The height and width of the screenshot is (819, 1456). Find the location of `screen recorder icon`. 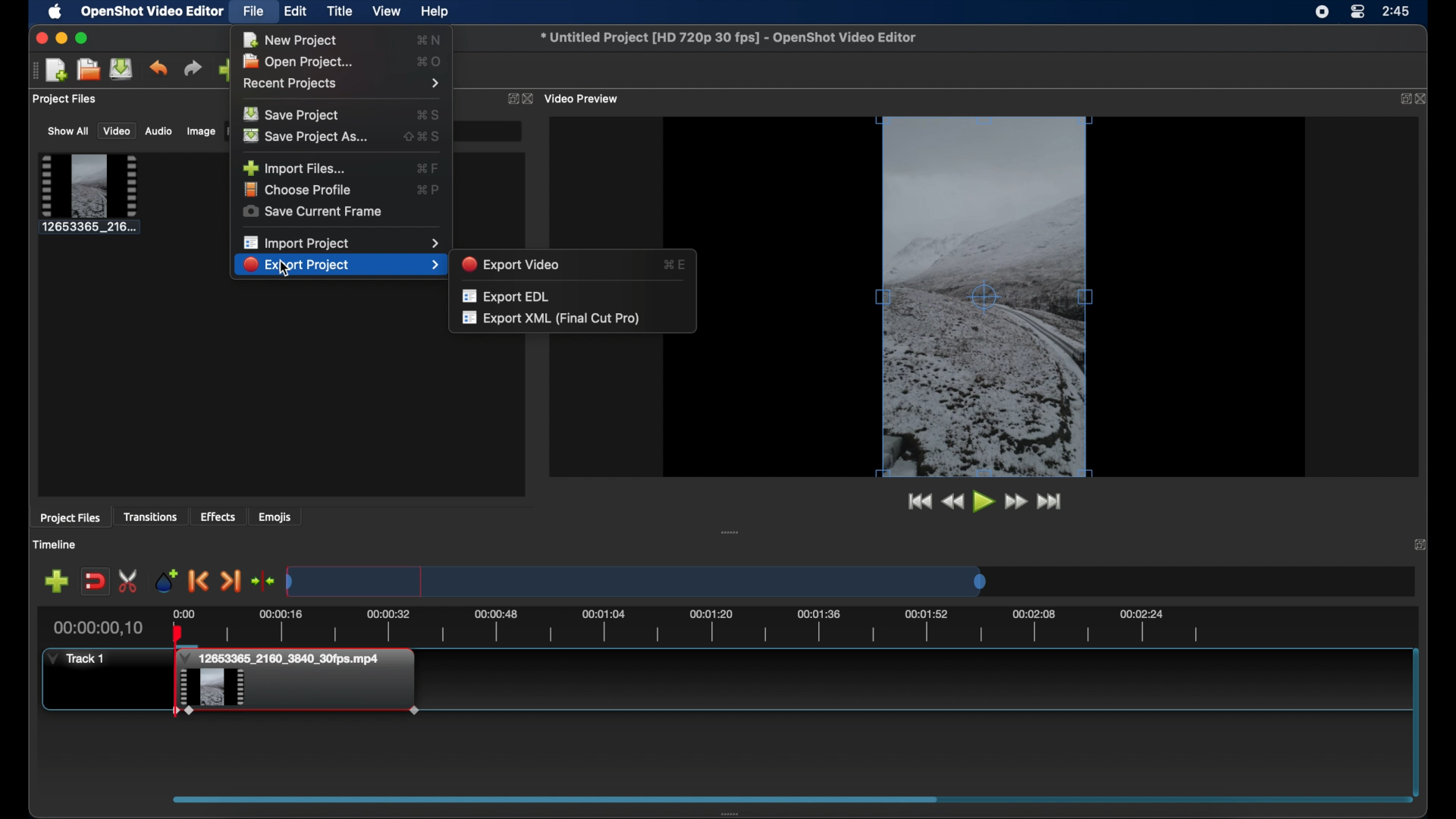

screen recorder icon is located at coordinates (1321, 14).